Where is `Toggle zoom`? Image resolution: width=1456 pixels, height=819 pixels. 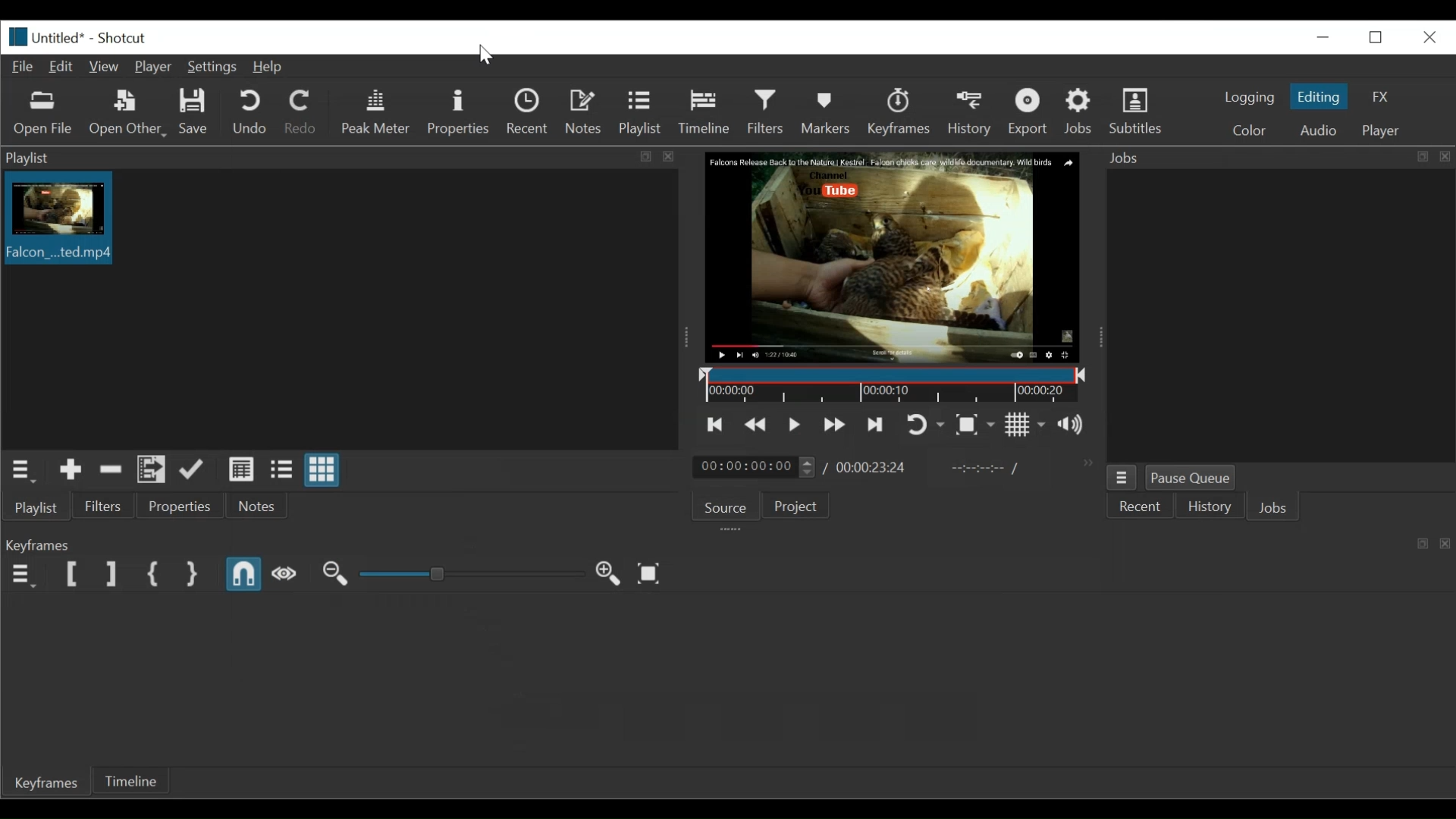 Toggle zoom is located at coordinates (977, 425).